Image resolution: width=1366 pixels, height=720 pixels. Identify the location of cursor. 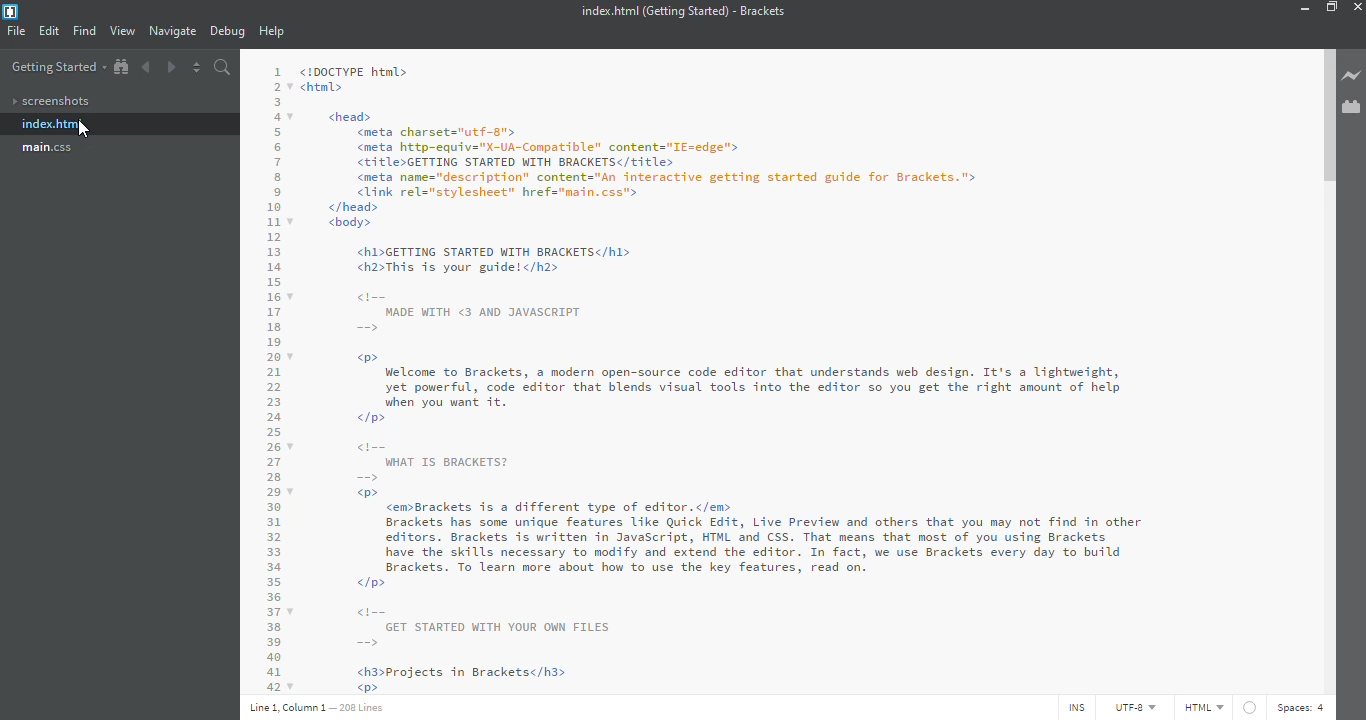
(82, 132).